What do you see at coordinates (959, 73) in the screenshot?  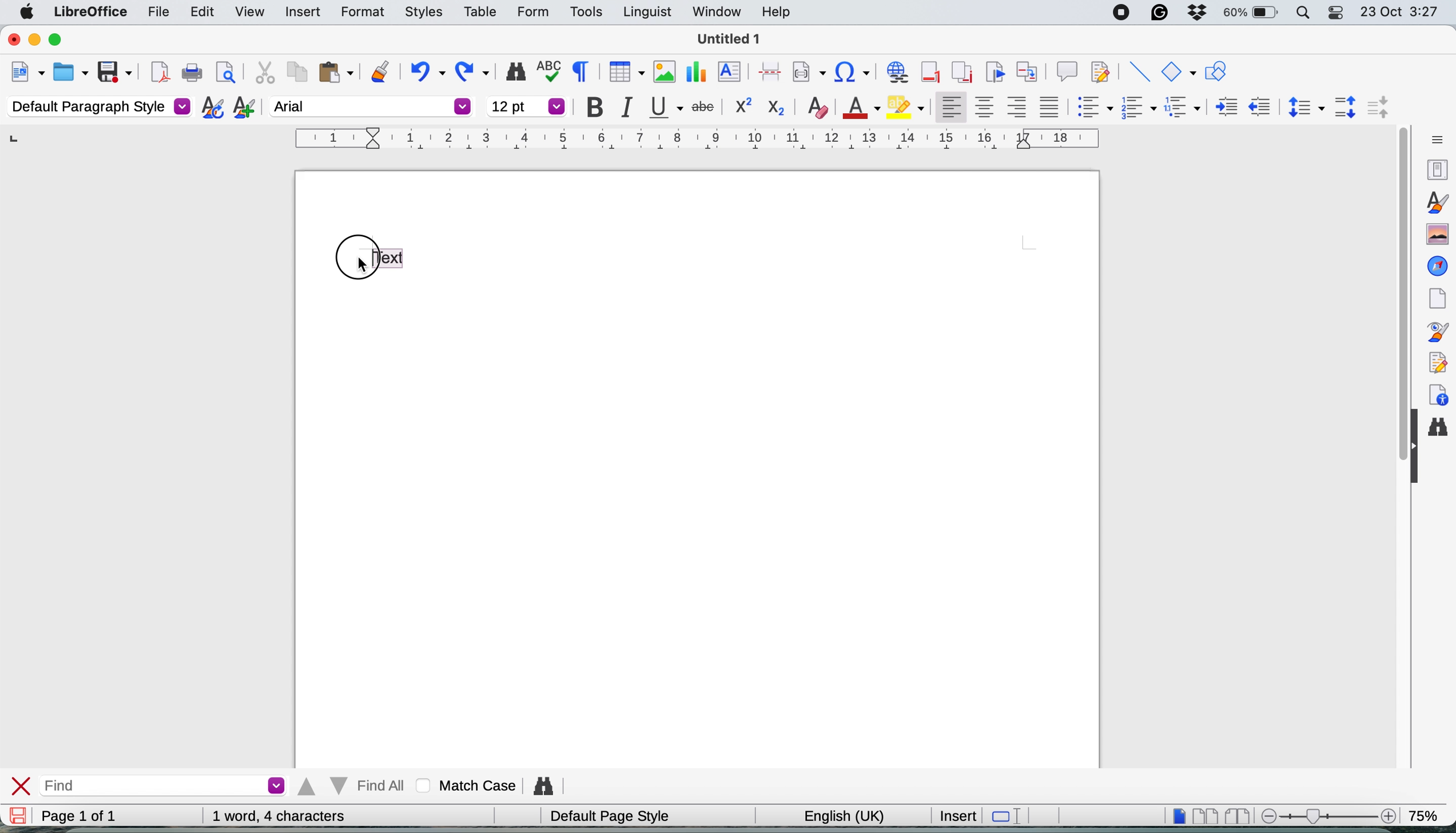 I see `insert endnote` at bounding box center [959, 73].